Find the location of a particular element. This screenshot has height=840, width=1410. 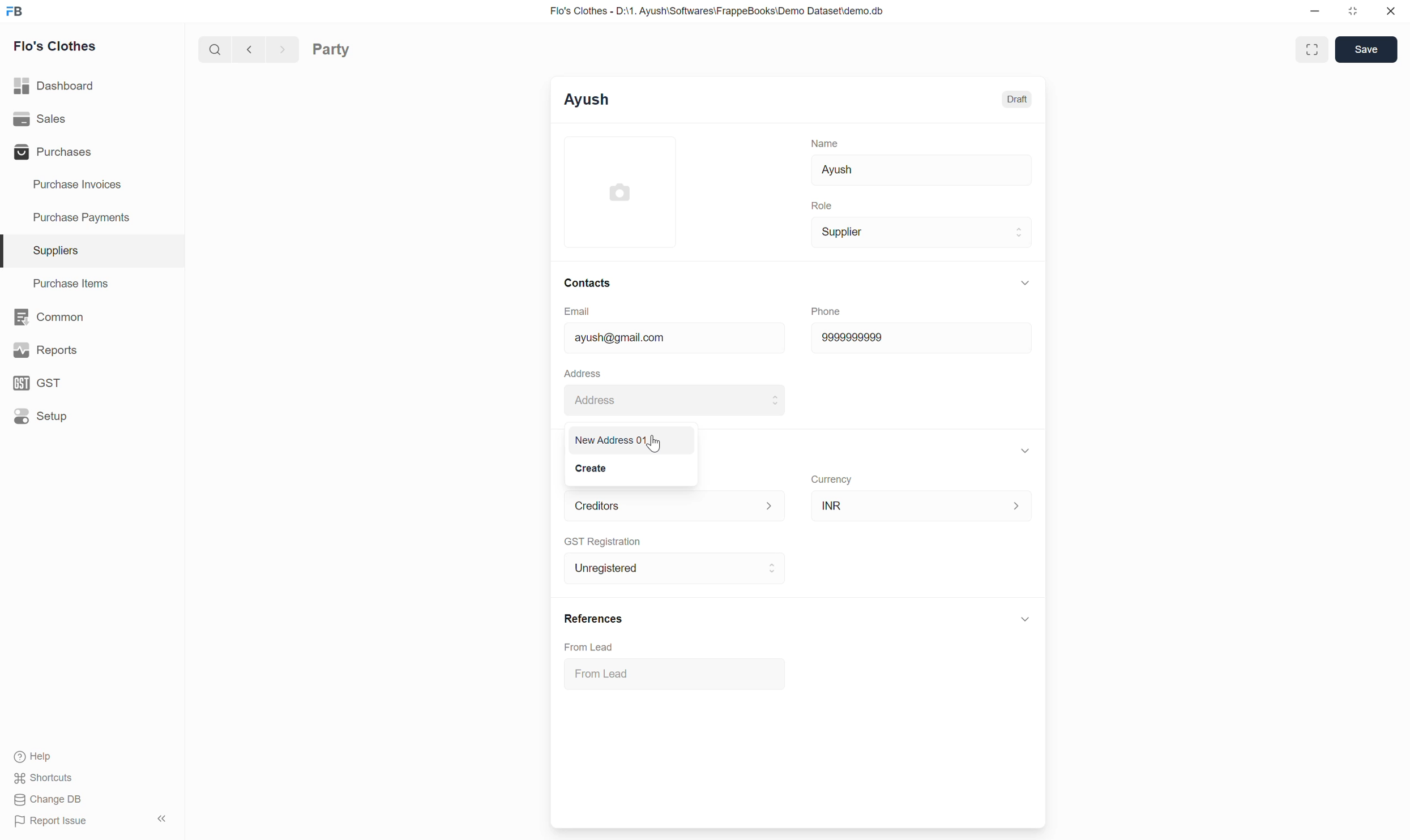

Previous is located at coordinates (250, 49).